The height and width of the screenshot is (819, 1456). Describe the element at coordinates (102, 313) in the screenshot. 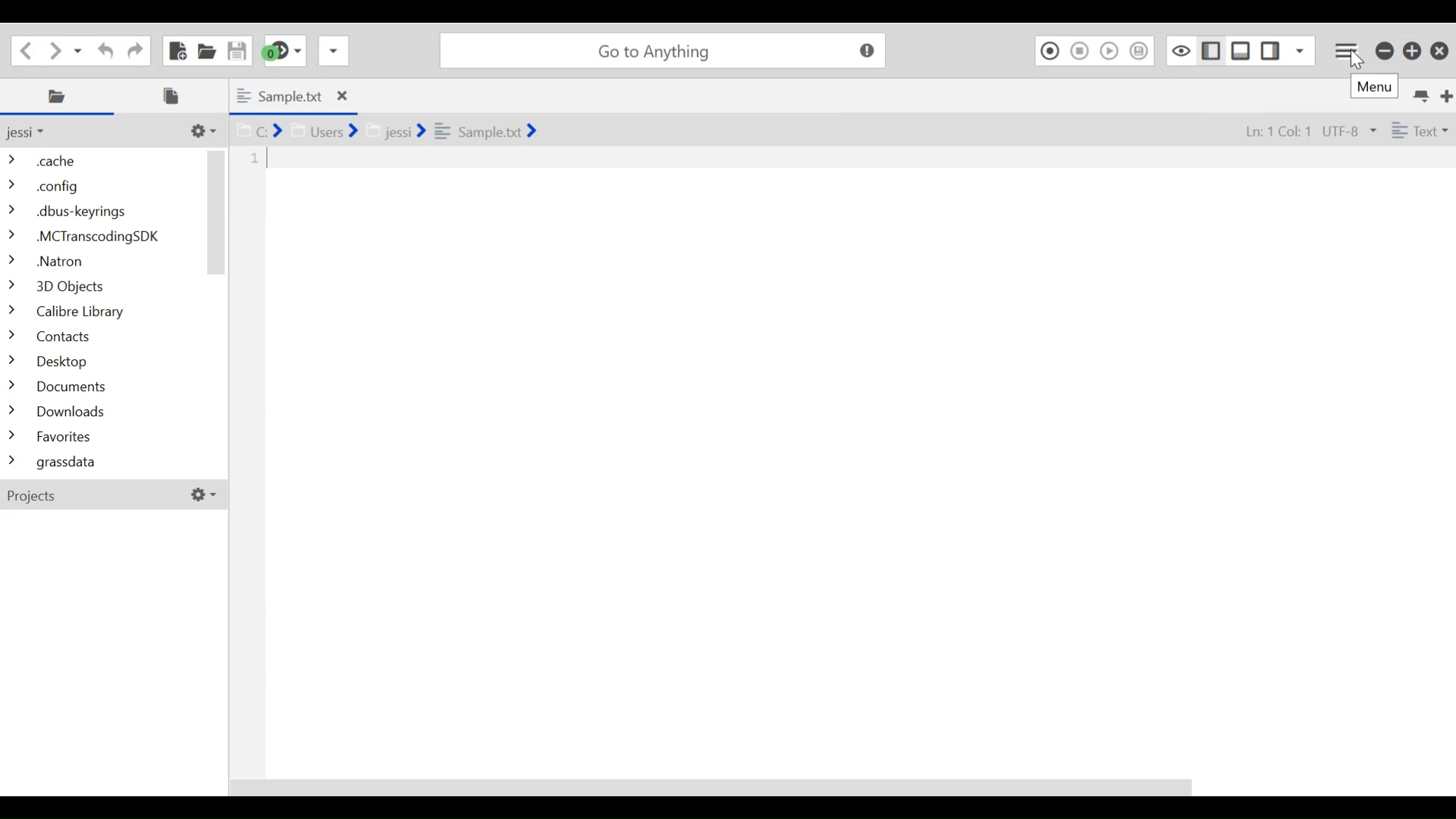

I see `Folders` at that location.